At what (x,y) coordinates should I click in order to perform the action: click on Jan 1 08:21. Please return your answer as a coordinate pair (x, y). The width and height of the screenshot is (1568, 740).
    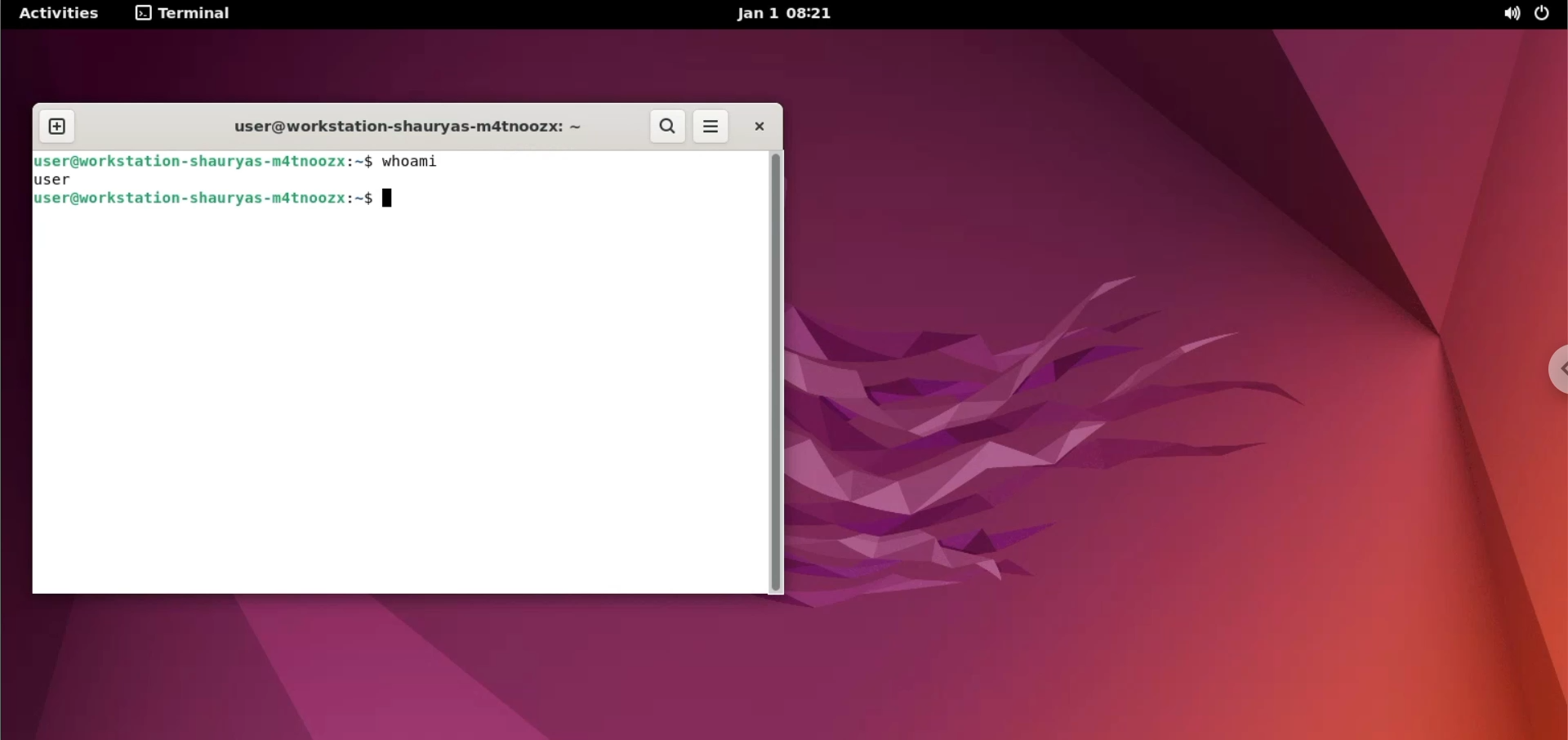
    Looking at the image, I should click on (791, 14).